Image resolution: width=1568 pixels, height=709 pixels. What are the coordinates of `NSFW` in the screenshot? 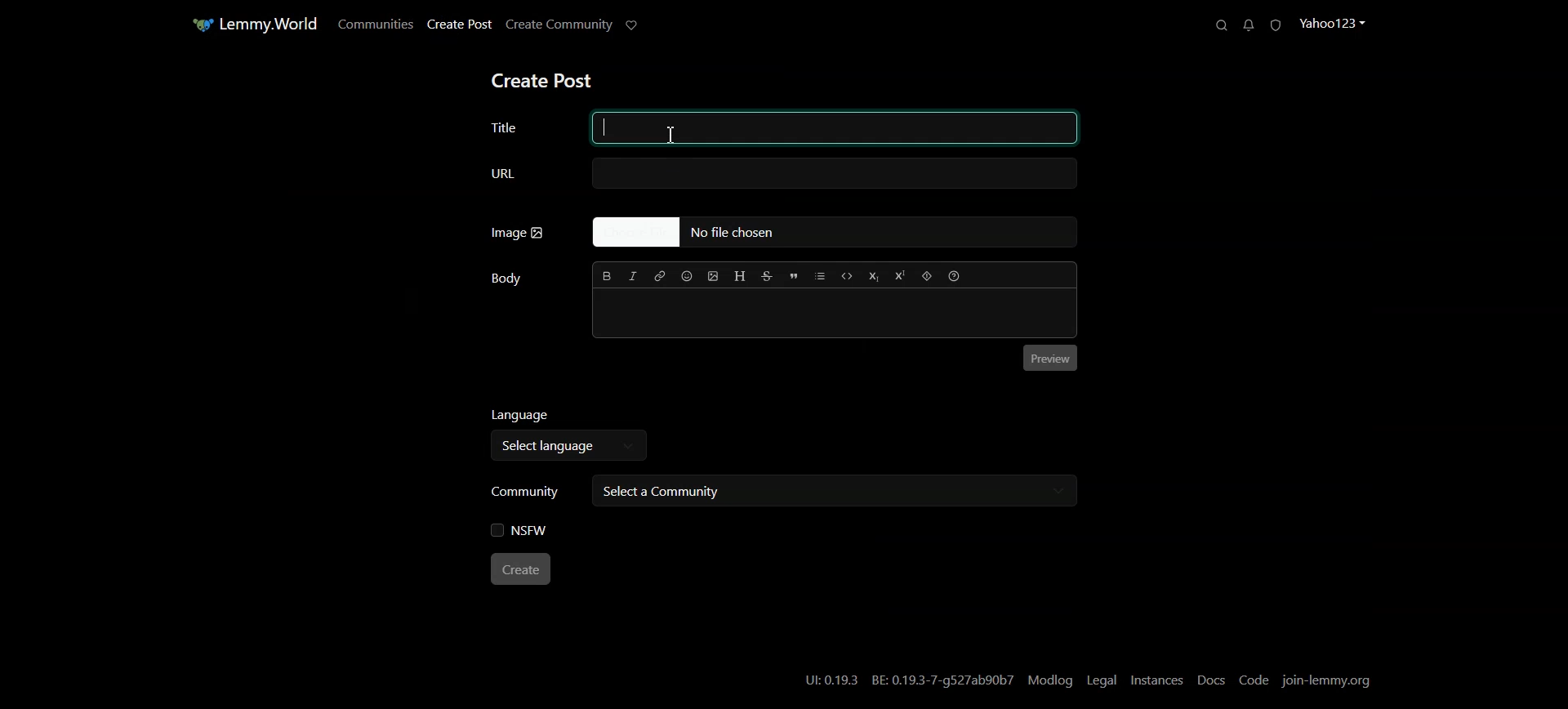 It's located at (520, 531).